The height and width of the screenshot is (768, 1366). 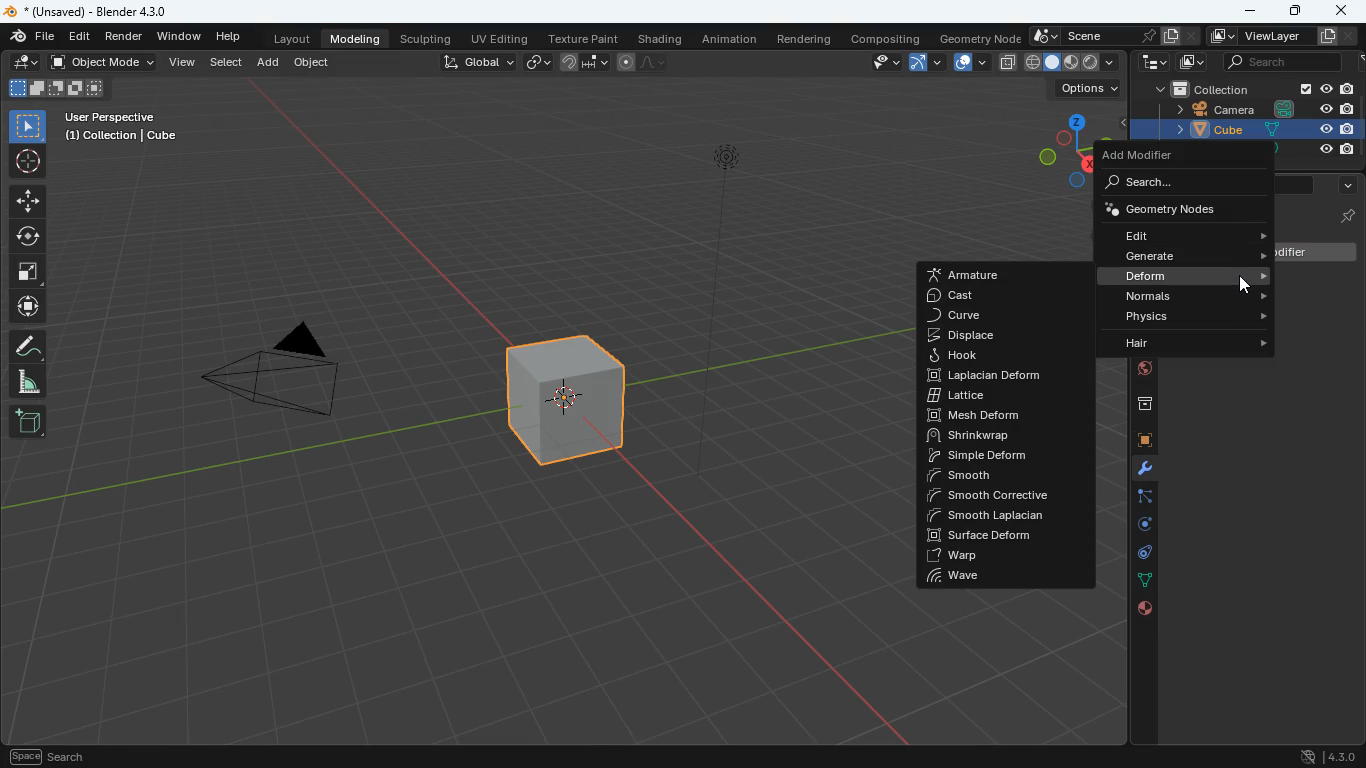 I want to click on control, so click(x=1140, y=555).